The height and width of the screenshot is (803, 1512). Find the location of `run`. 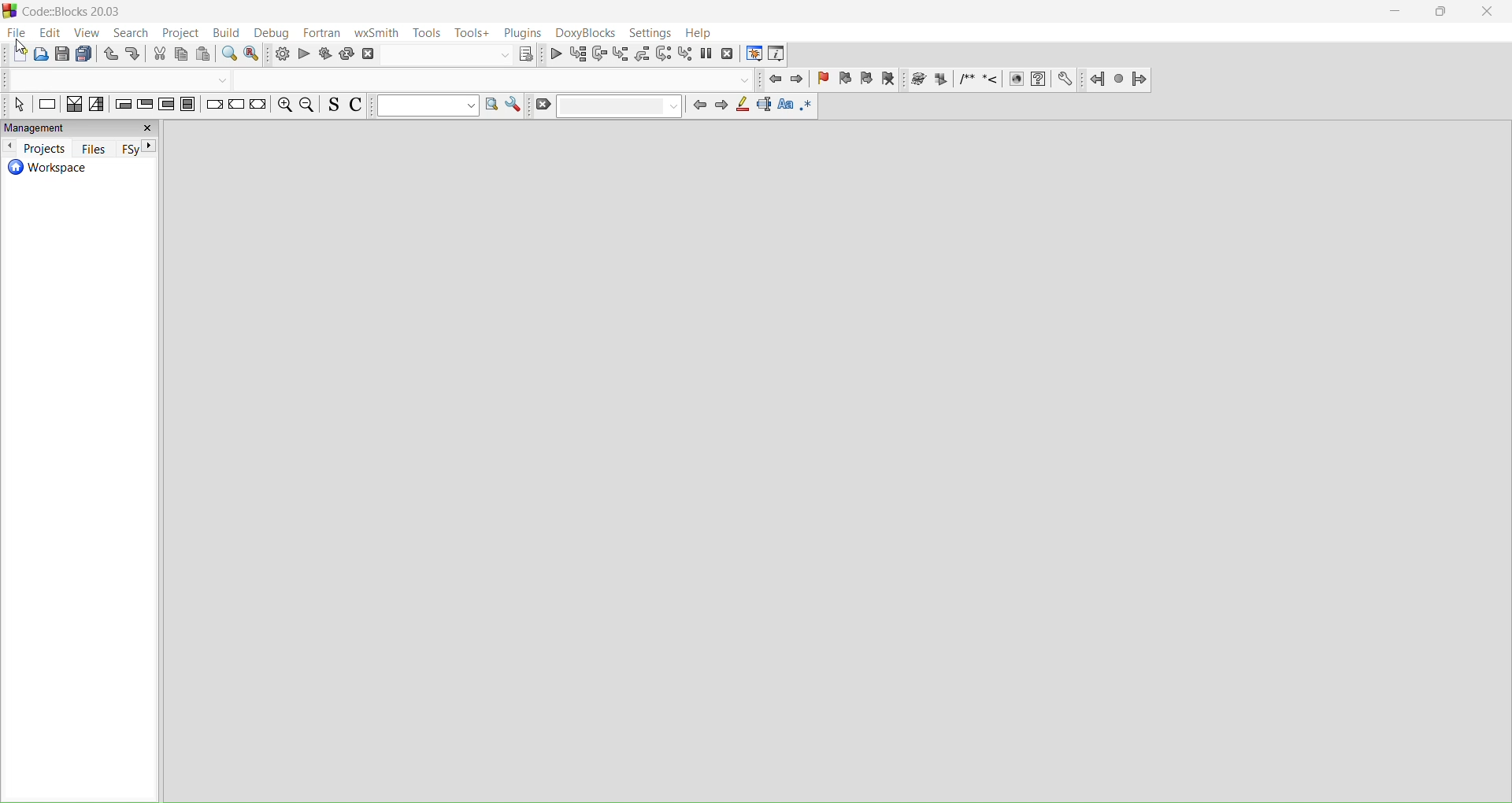

run is located at coordinates (304, 54).